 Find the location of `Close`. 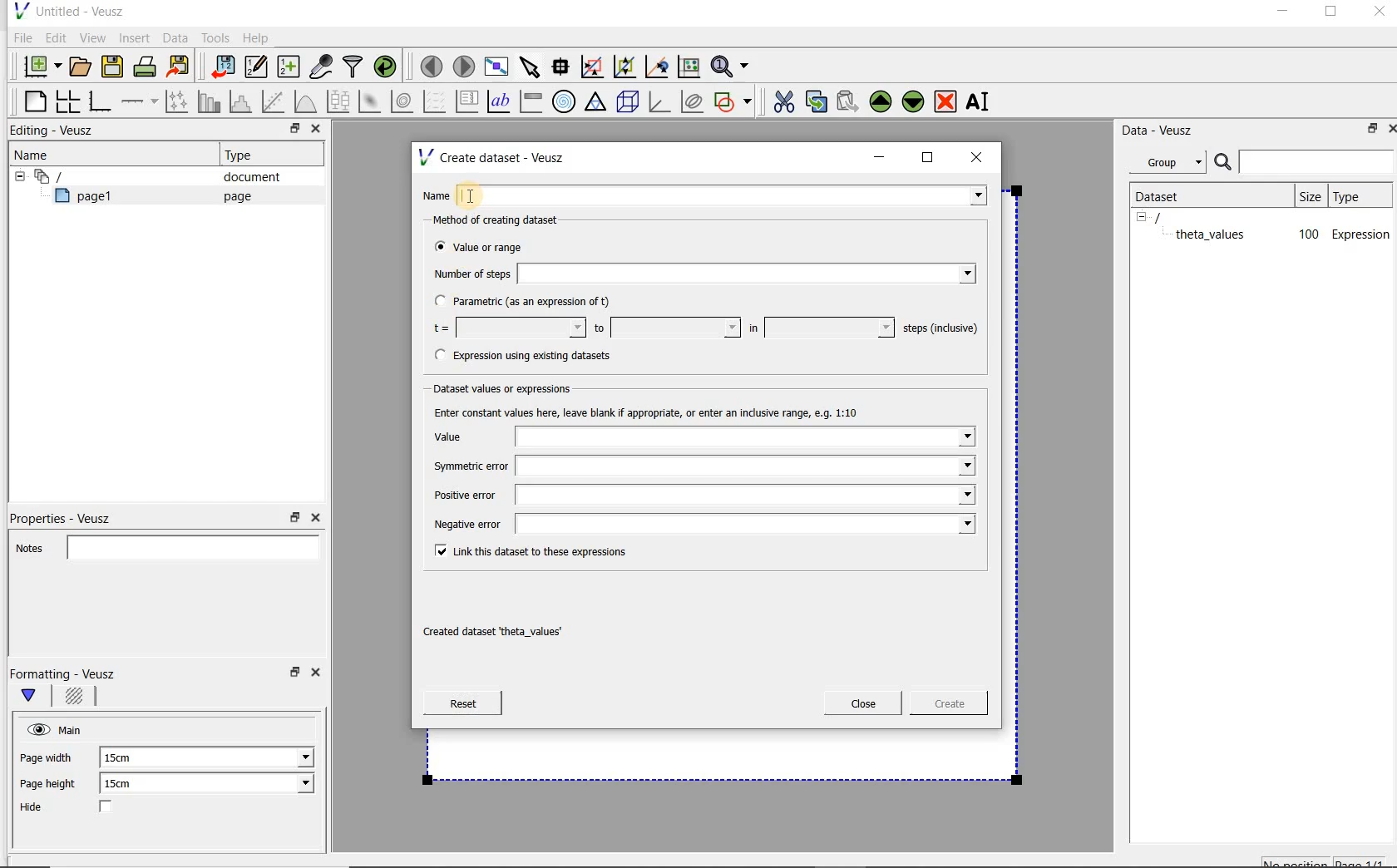

Close is located at coordinates (314, 518).